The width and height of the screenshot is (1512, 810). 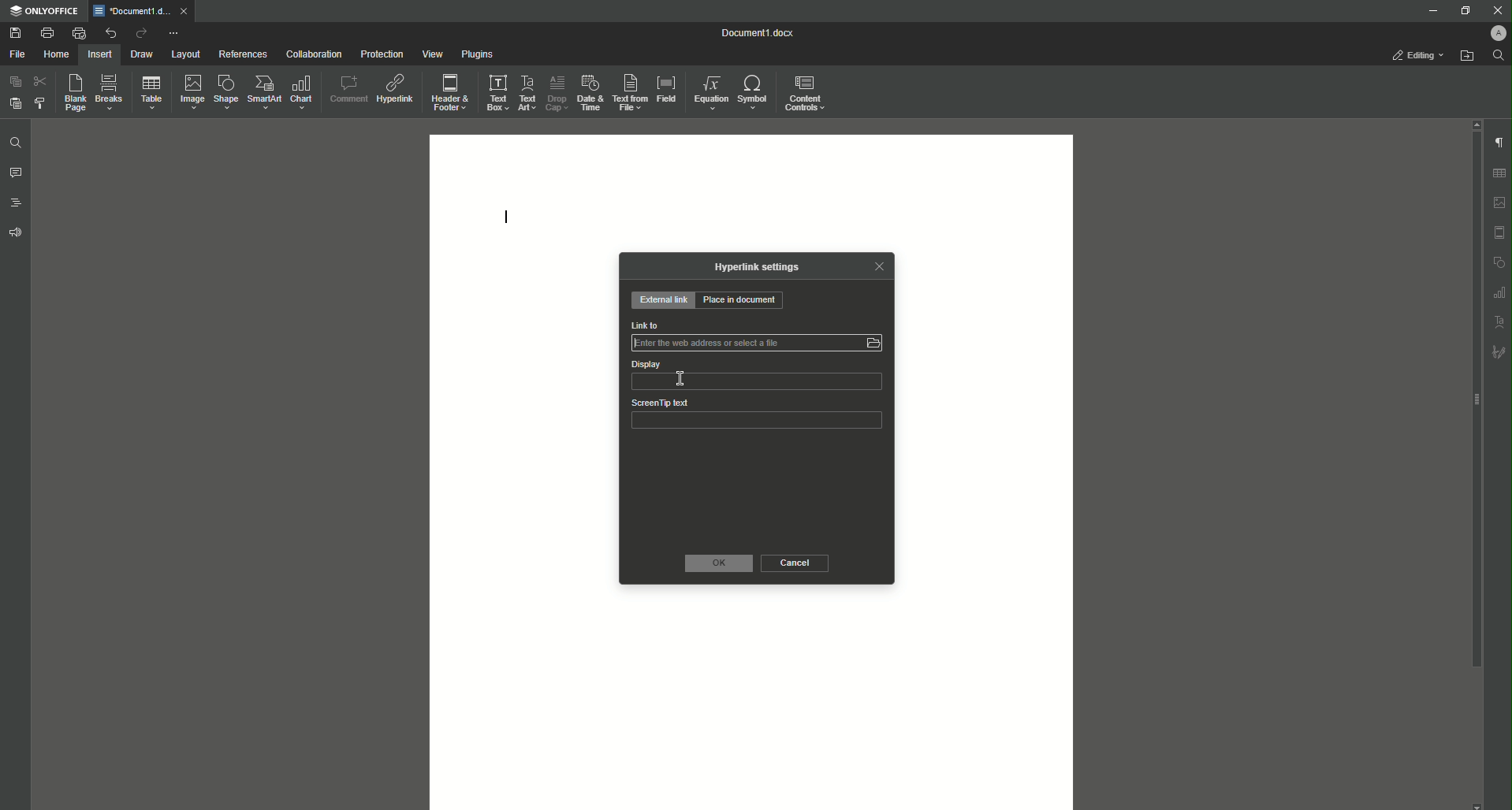 I want to click on Plugins, so click(x=476, y=53).